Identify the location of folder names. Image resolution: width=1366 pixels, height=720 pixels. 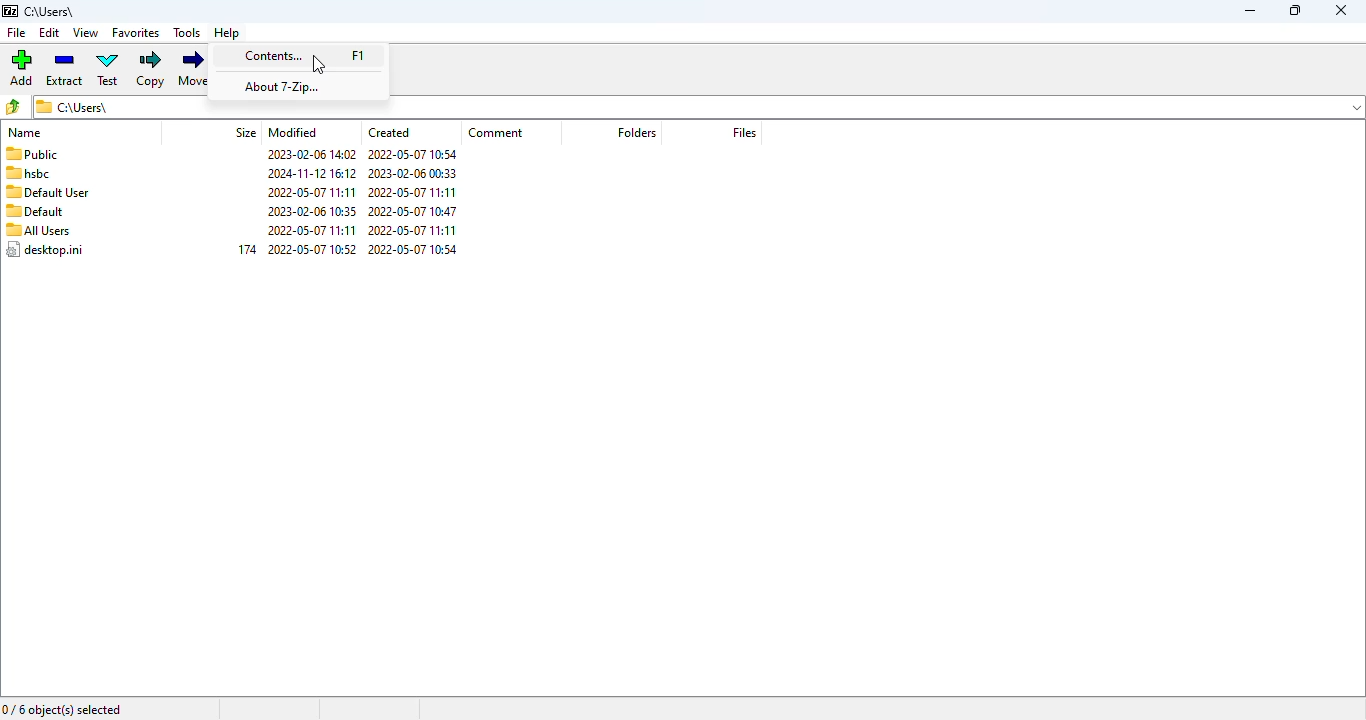
(45, 202).